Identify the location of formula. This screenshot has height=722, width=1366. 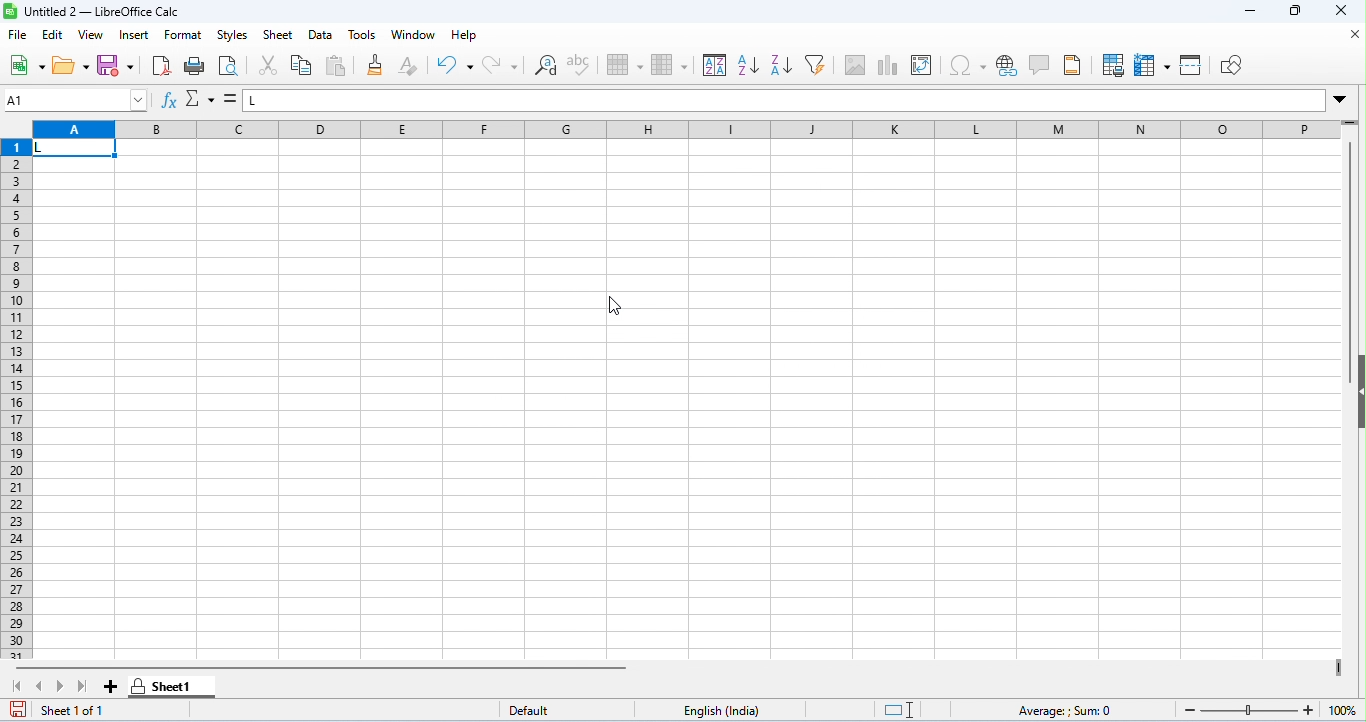
(1067, 711).